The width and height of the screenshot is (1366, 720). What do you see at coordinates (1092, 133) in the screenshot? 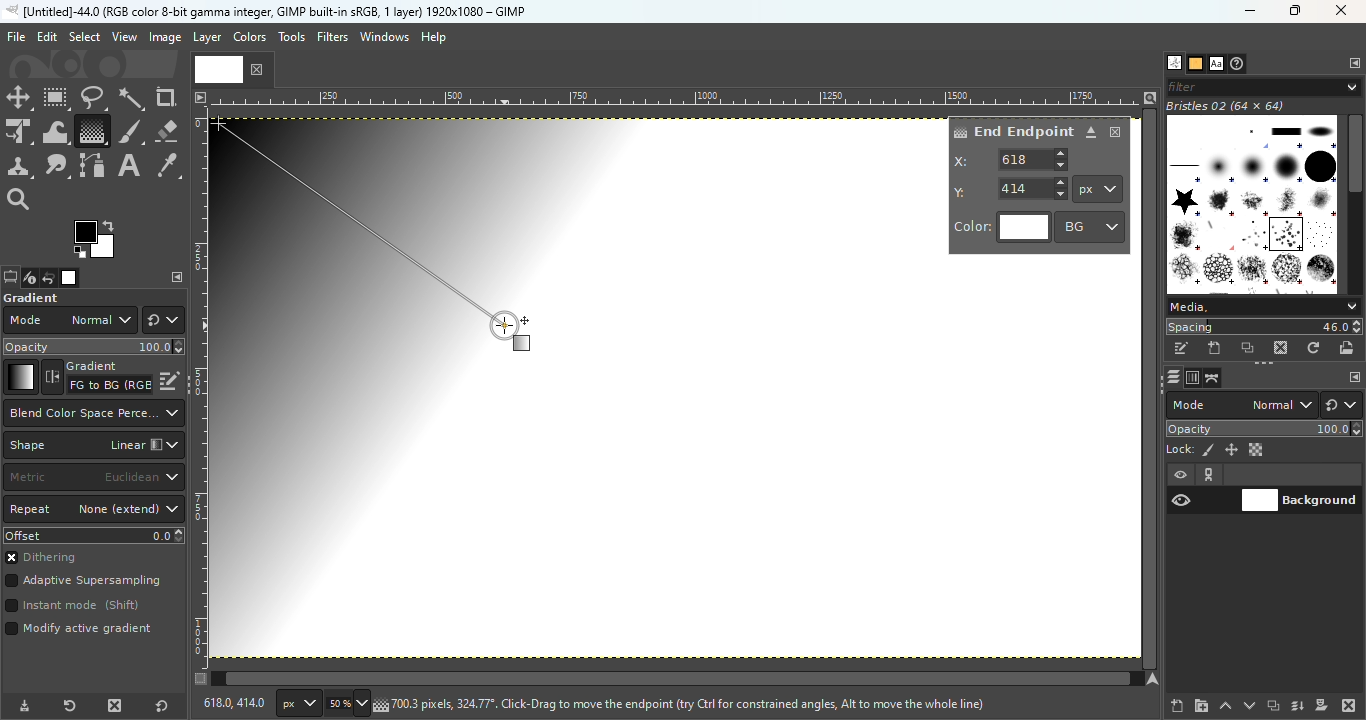
I see `Detach dilog from` at bounding box center [1092, 133].